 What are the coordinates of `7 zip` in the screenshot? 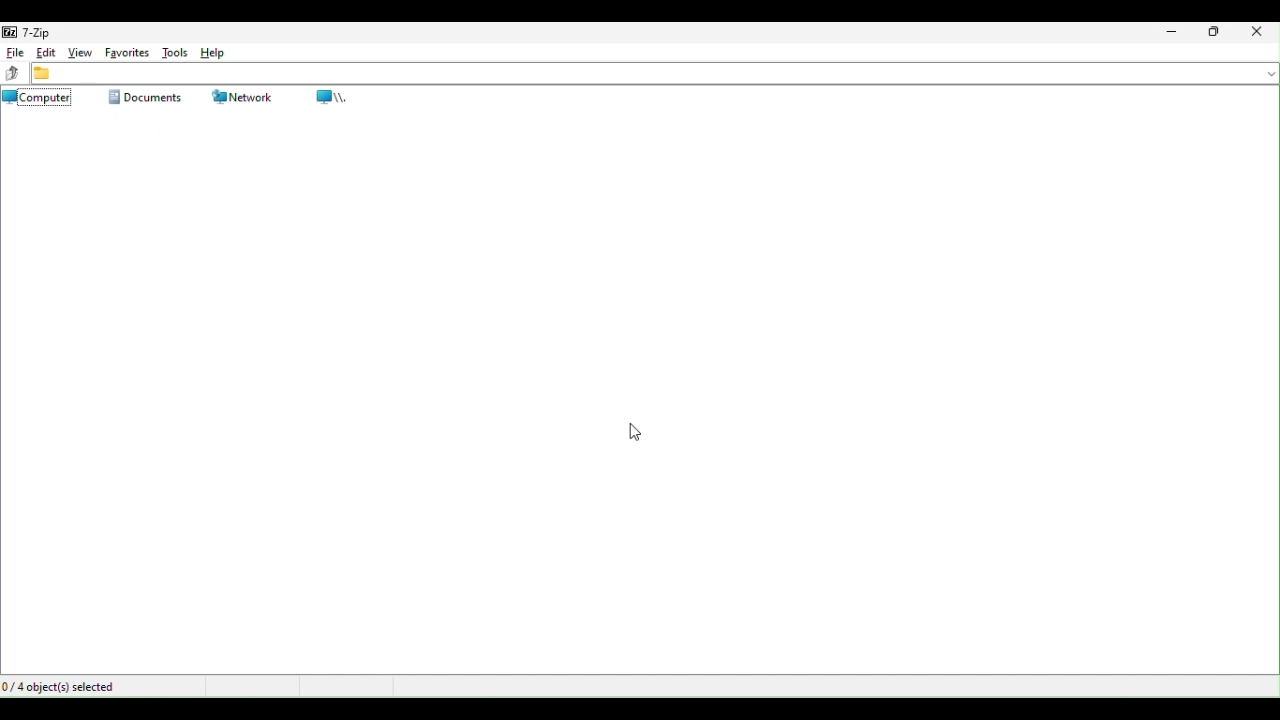 It's located at (35, 31).